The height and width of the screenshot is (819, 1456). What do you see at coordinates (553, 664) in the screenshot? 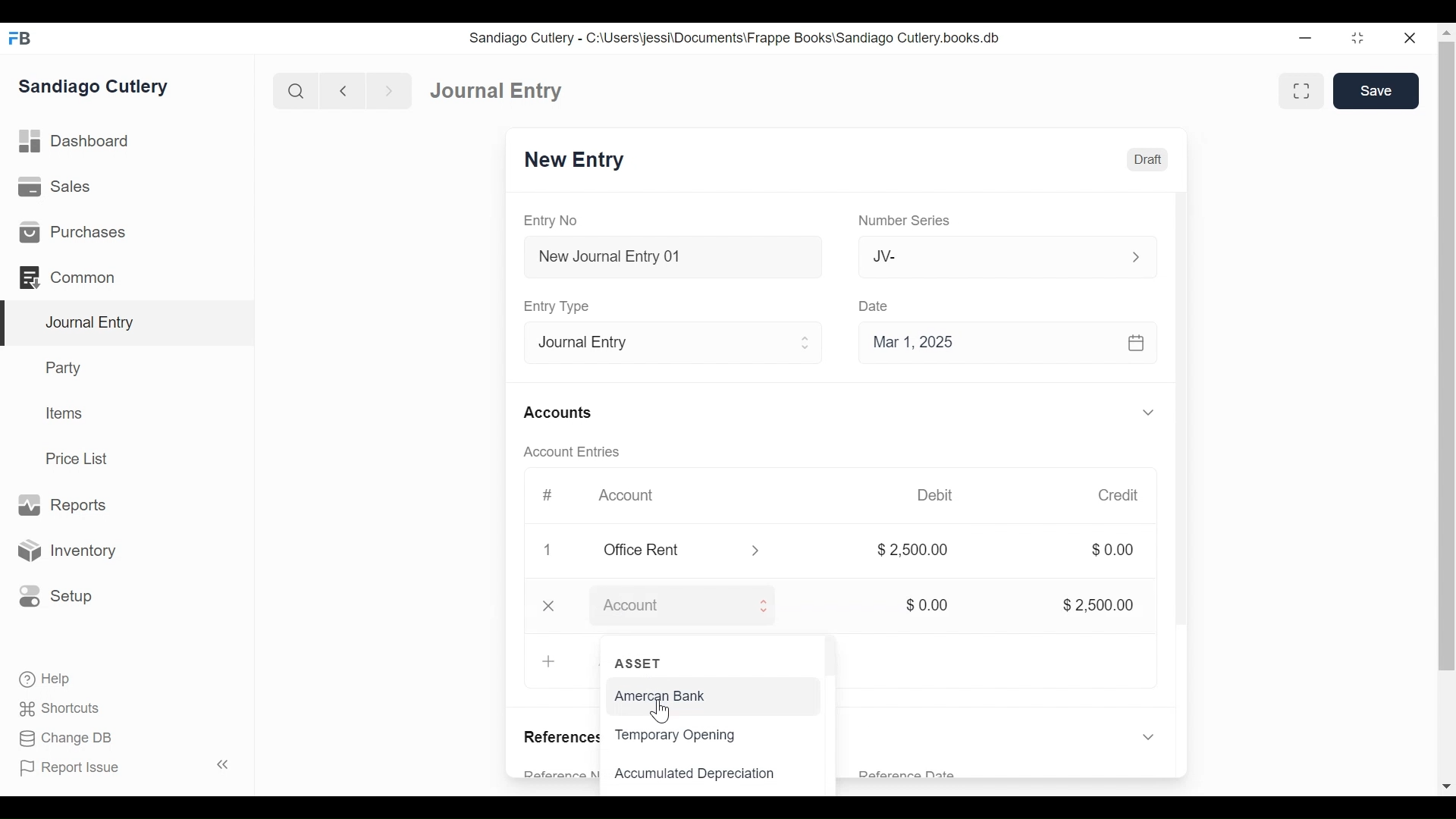
I see `Add Row` at bounding box center [553, 664].